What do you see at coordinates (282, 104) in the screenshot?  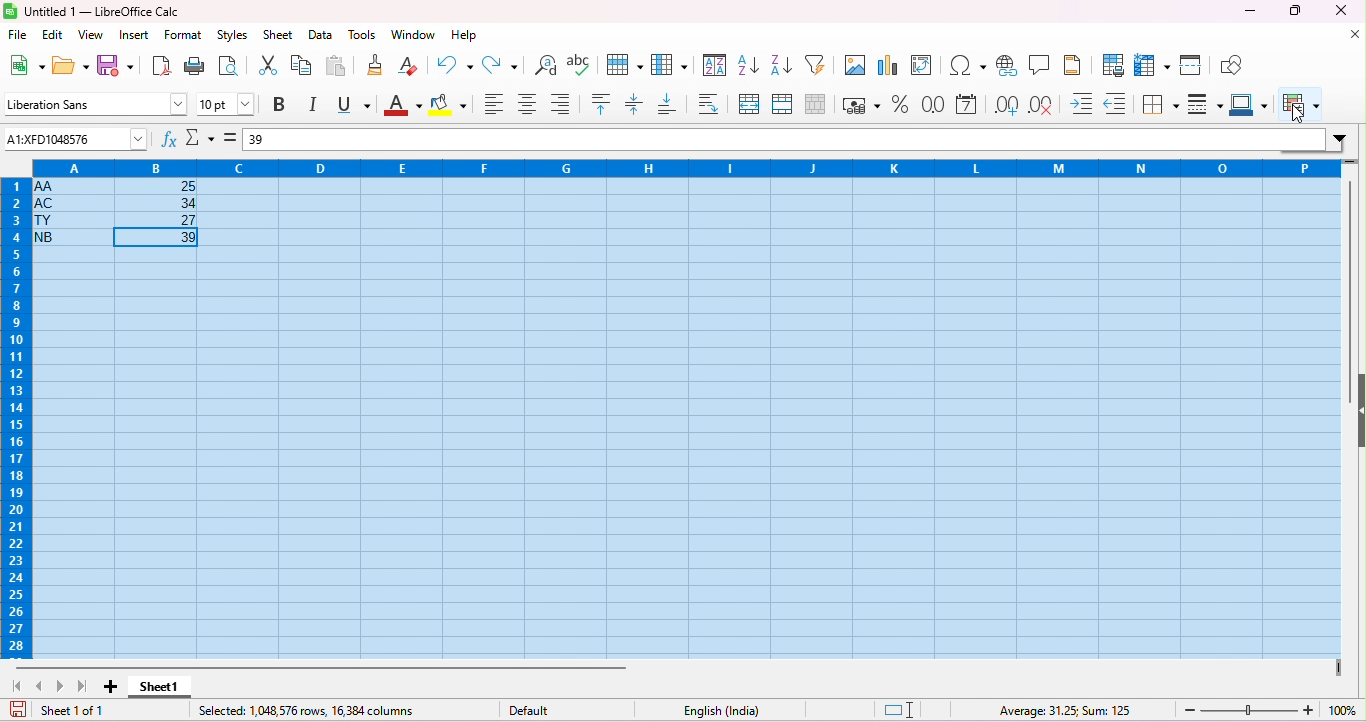 I see `bold` at bounding box center [282, 104].